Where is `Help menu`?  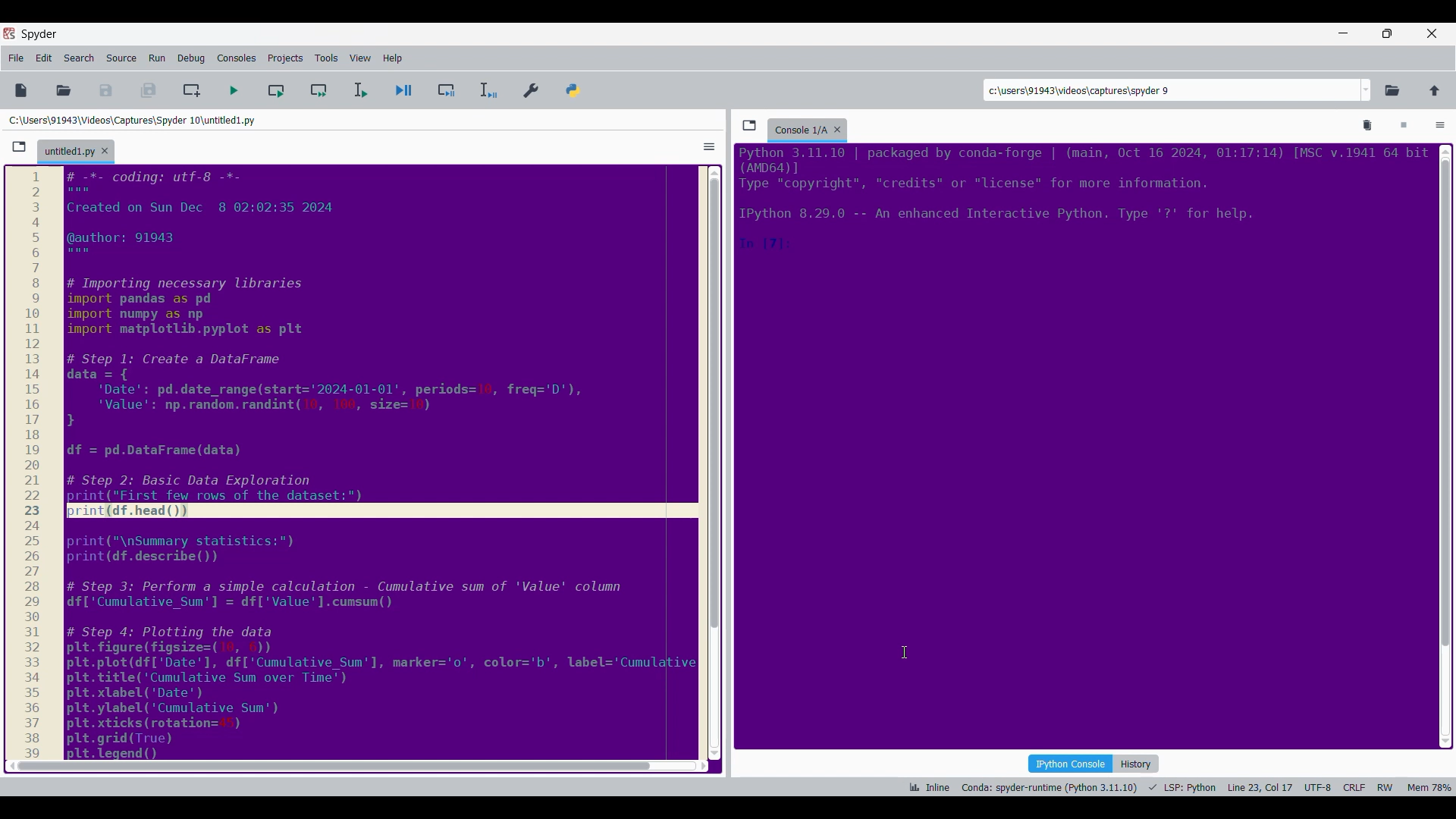
Help menu is located at coordinates (392, 58).